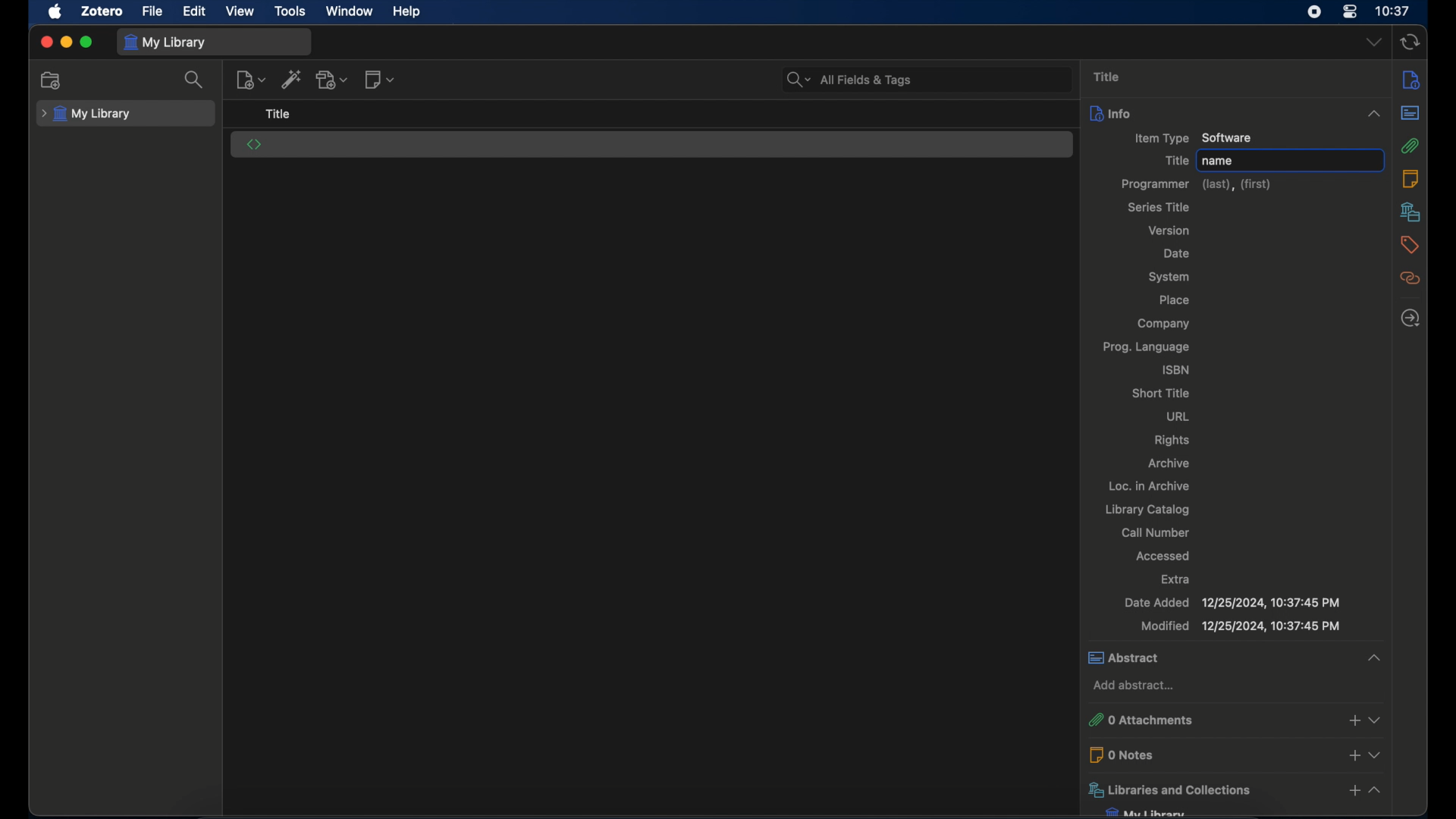 The image size is (1456, 819). I want to click on dropdown, so click(1375, 43).